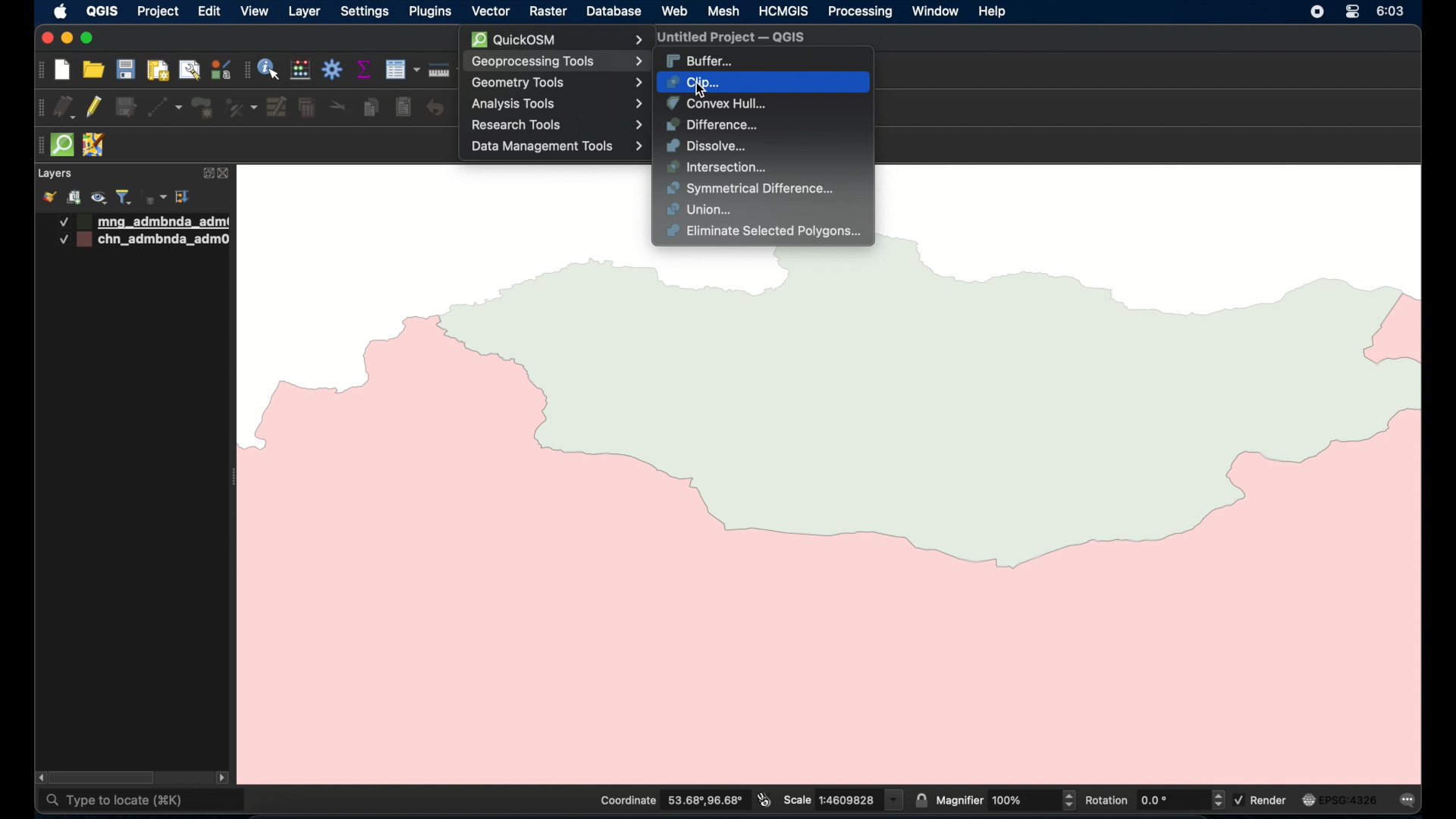 The height and width of the screenshot is (819, 1456). I want to click on magnifier, so click(1006, 799).